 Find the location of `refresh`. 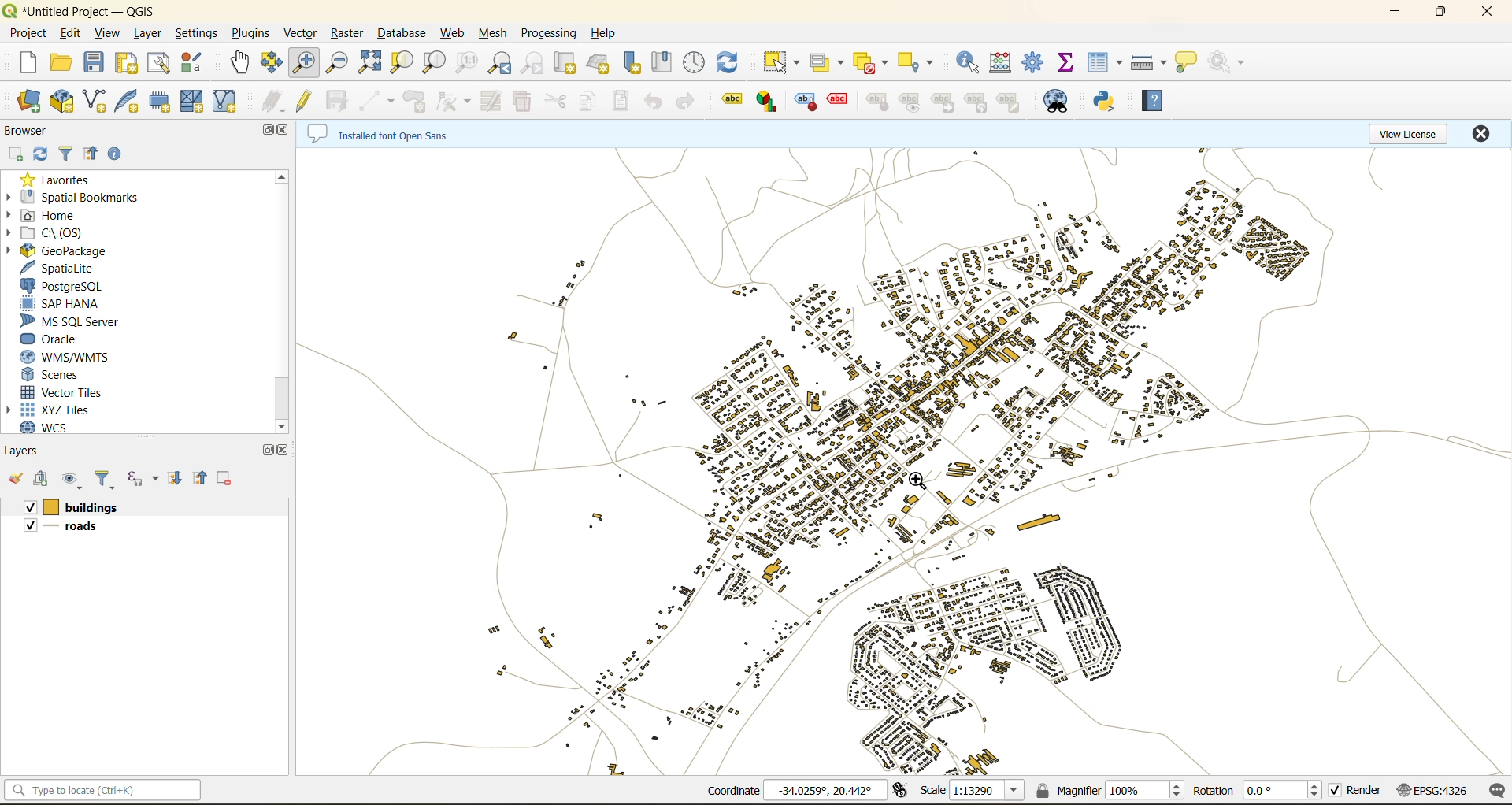

refresh is located at coordinates (727, 65).